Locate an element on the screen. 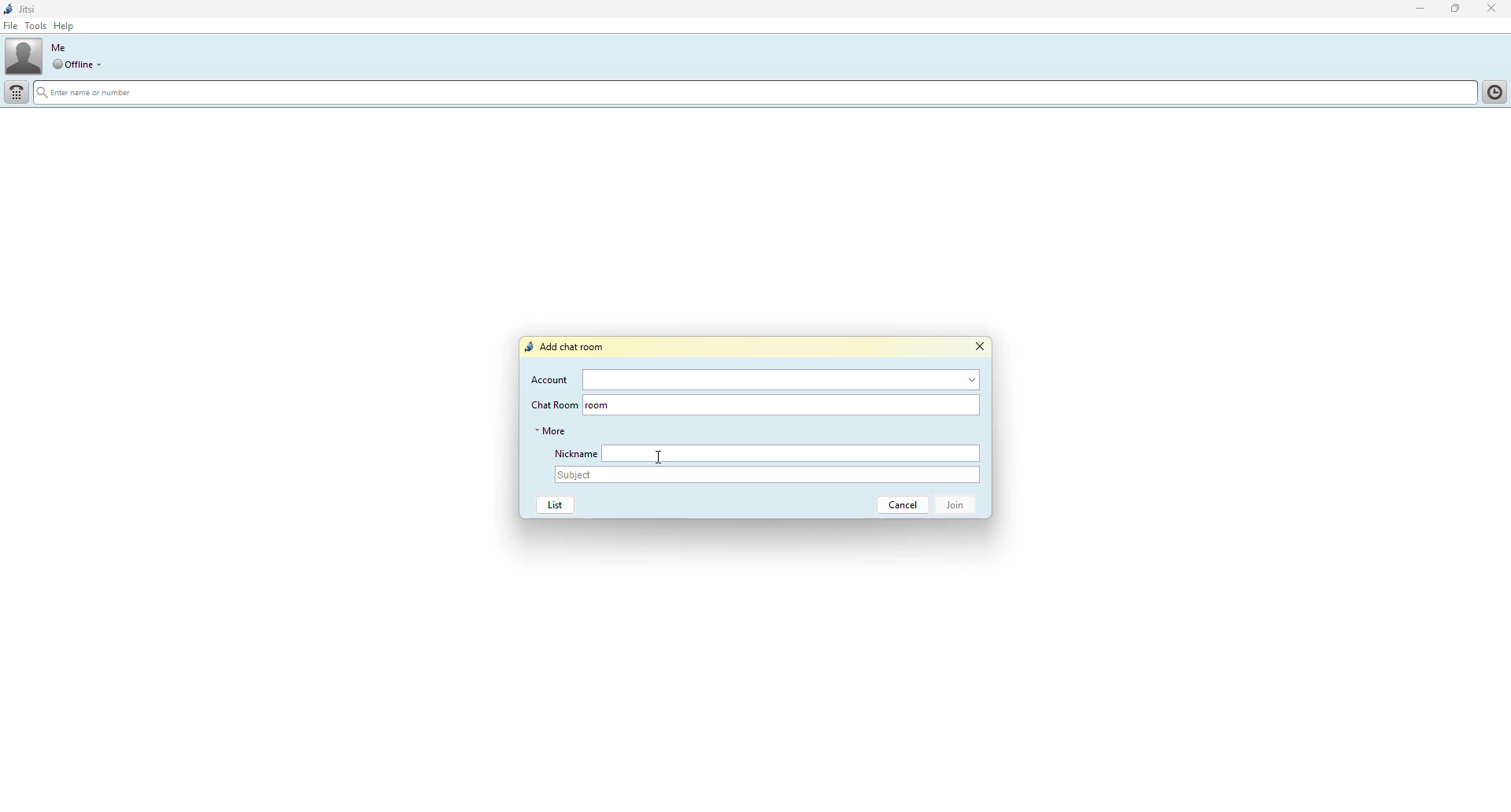  chat room is located at coordinates (552, 404).